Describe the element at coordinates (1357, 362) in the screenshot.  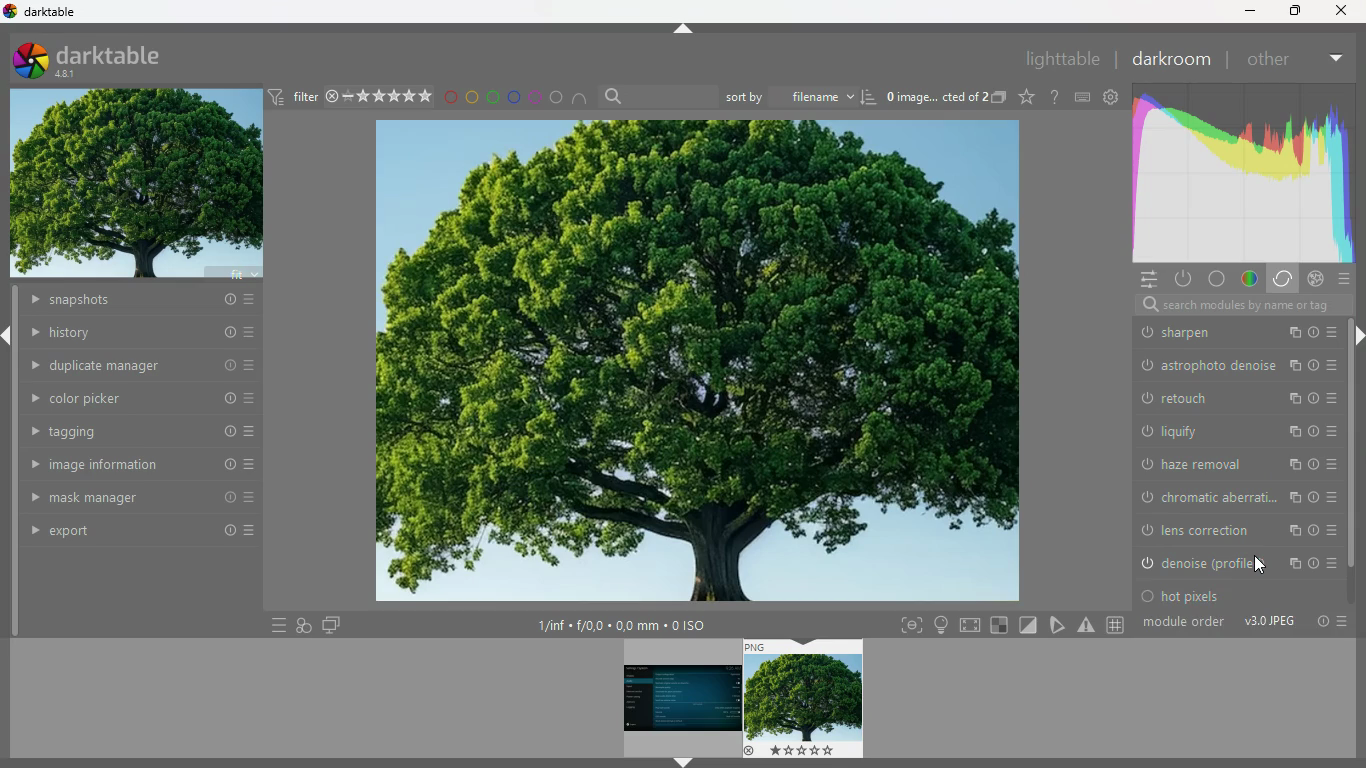
I see `scroll bar` at that location.